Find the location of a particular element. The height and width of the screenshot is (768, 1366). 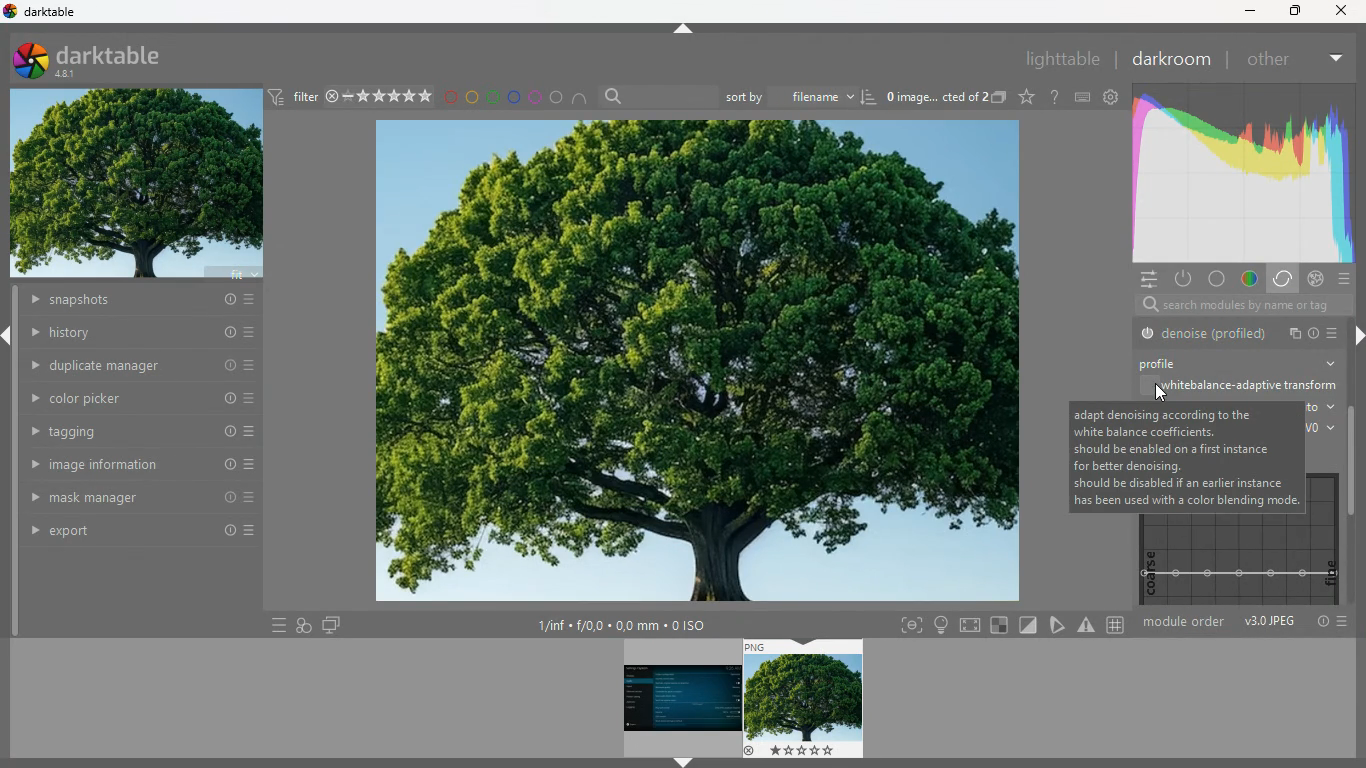

description is located at coordinates (1186, 456).